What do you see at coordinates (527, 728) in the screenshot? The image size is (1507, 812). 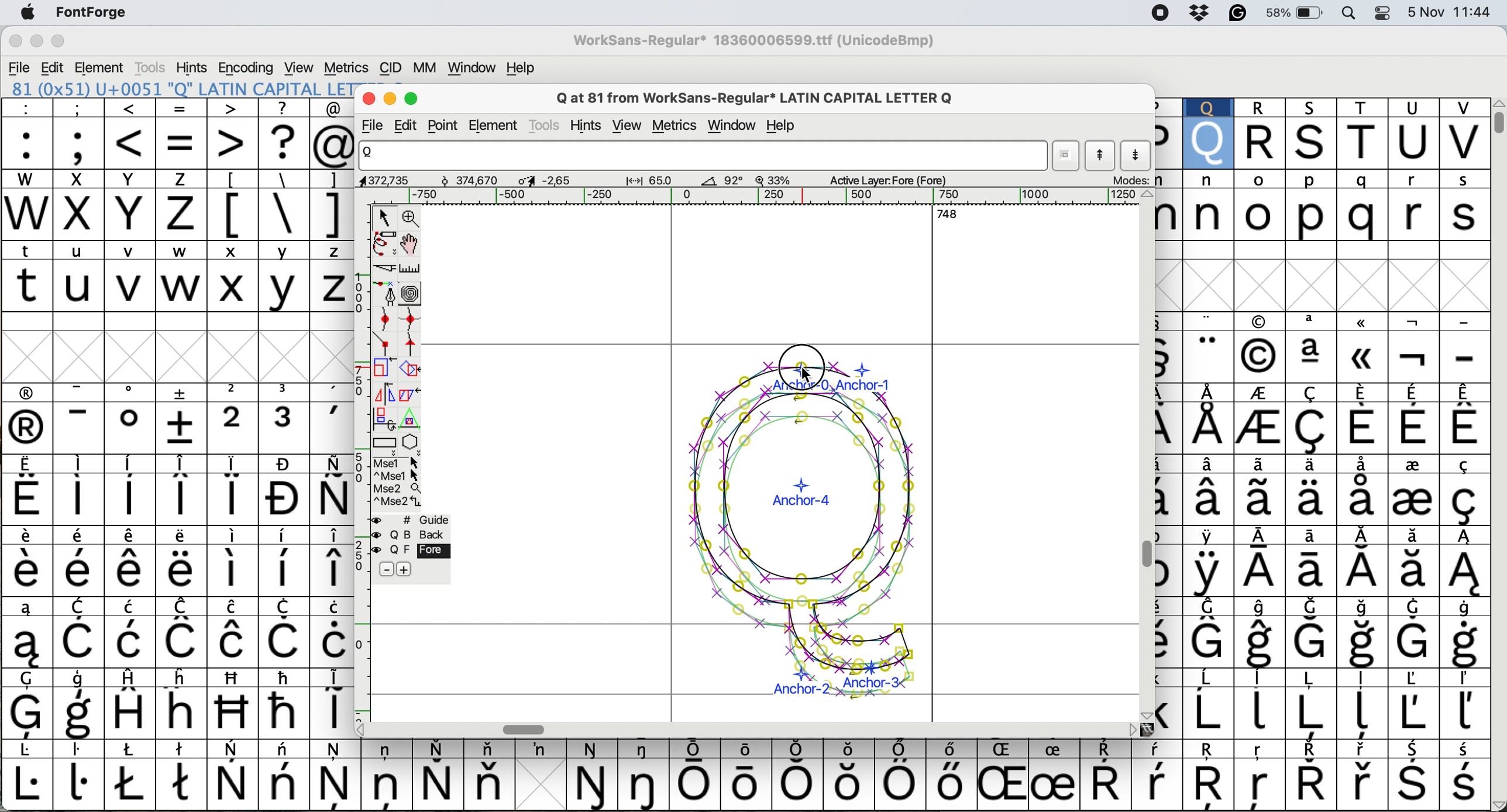 I see `horizontal scroll bar` at bounding box center [527, 728].